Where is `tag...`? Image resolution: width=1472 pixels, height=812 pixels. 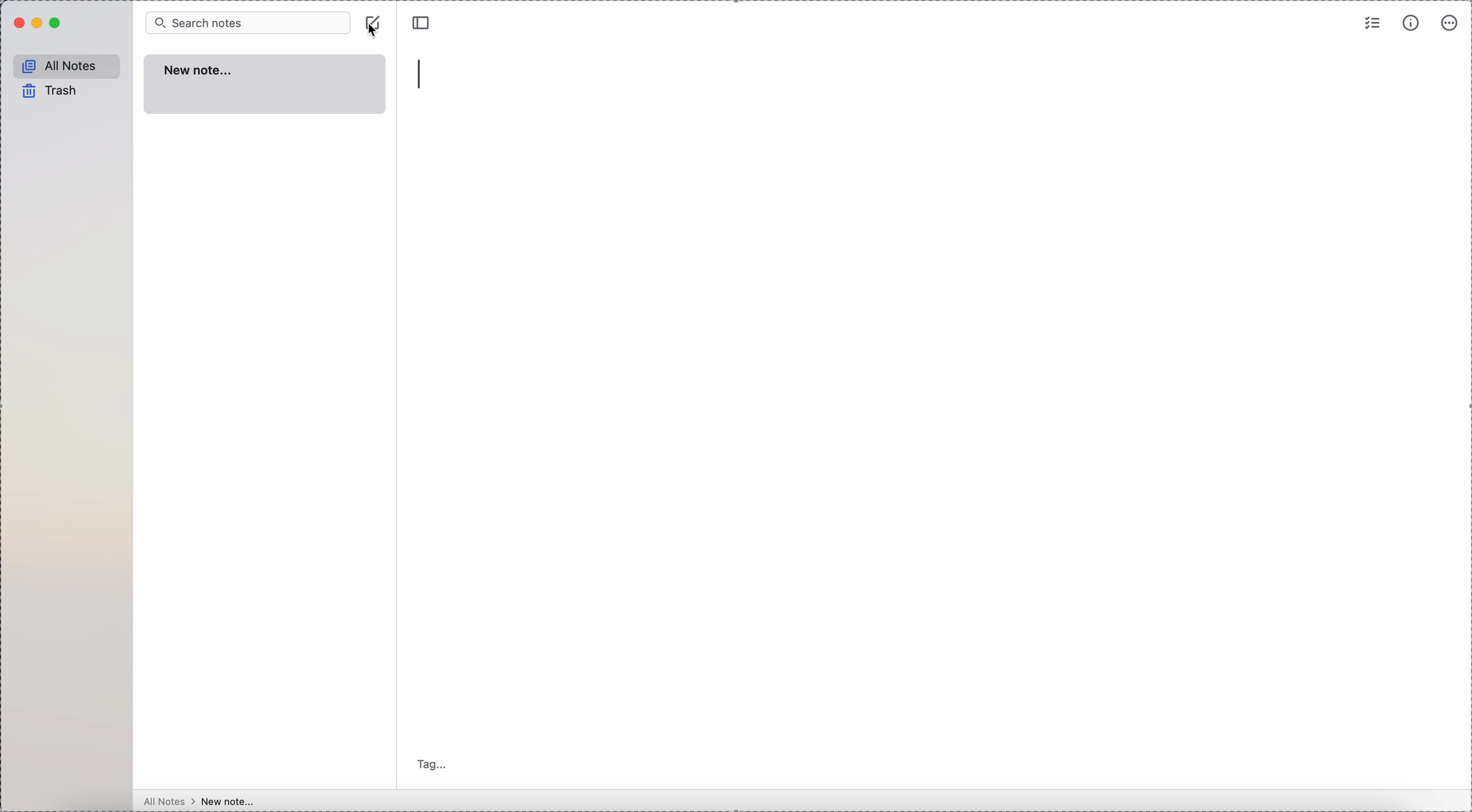 tag... is located at coordinates (434, 765).